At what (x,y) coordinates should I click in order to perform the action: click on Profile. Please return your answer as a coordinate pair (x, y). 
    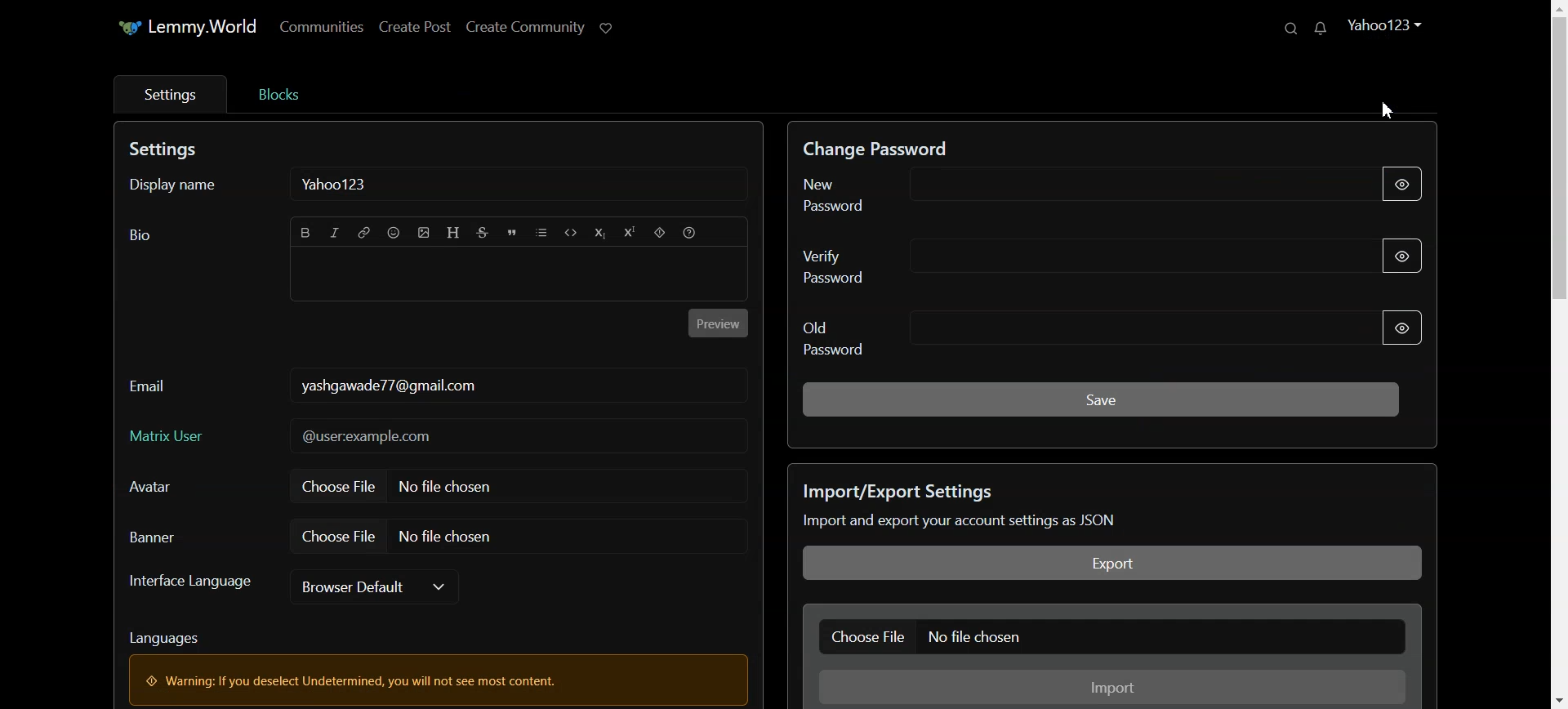
    Looking at the image, I should click on (1384, 29).